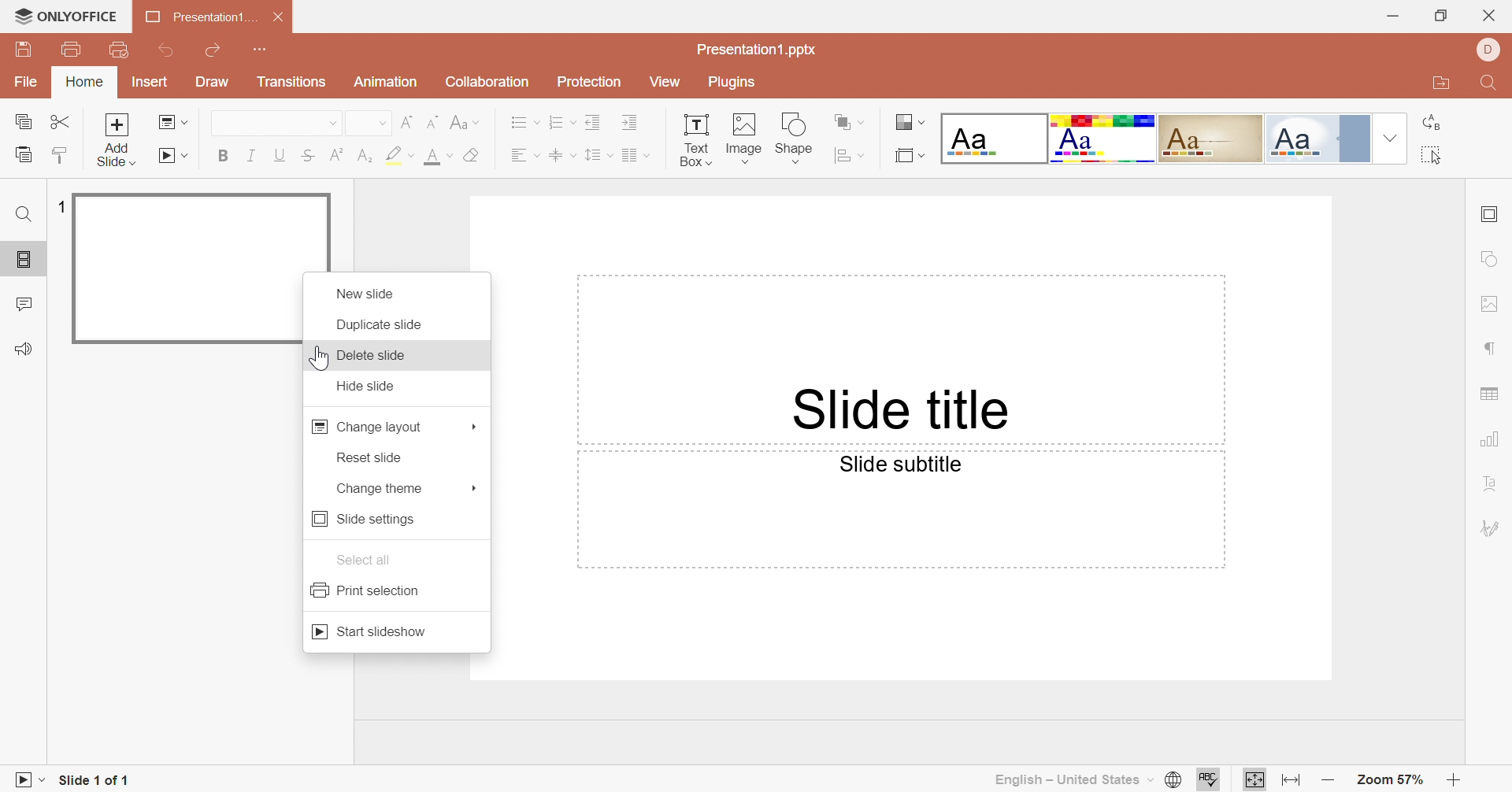 The image size is (1512, 792). I want to click on Drop Down, so click(46, 779).